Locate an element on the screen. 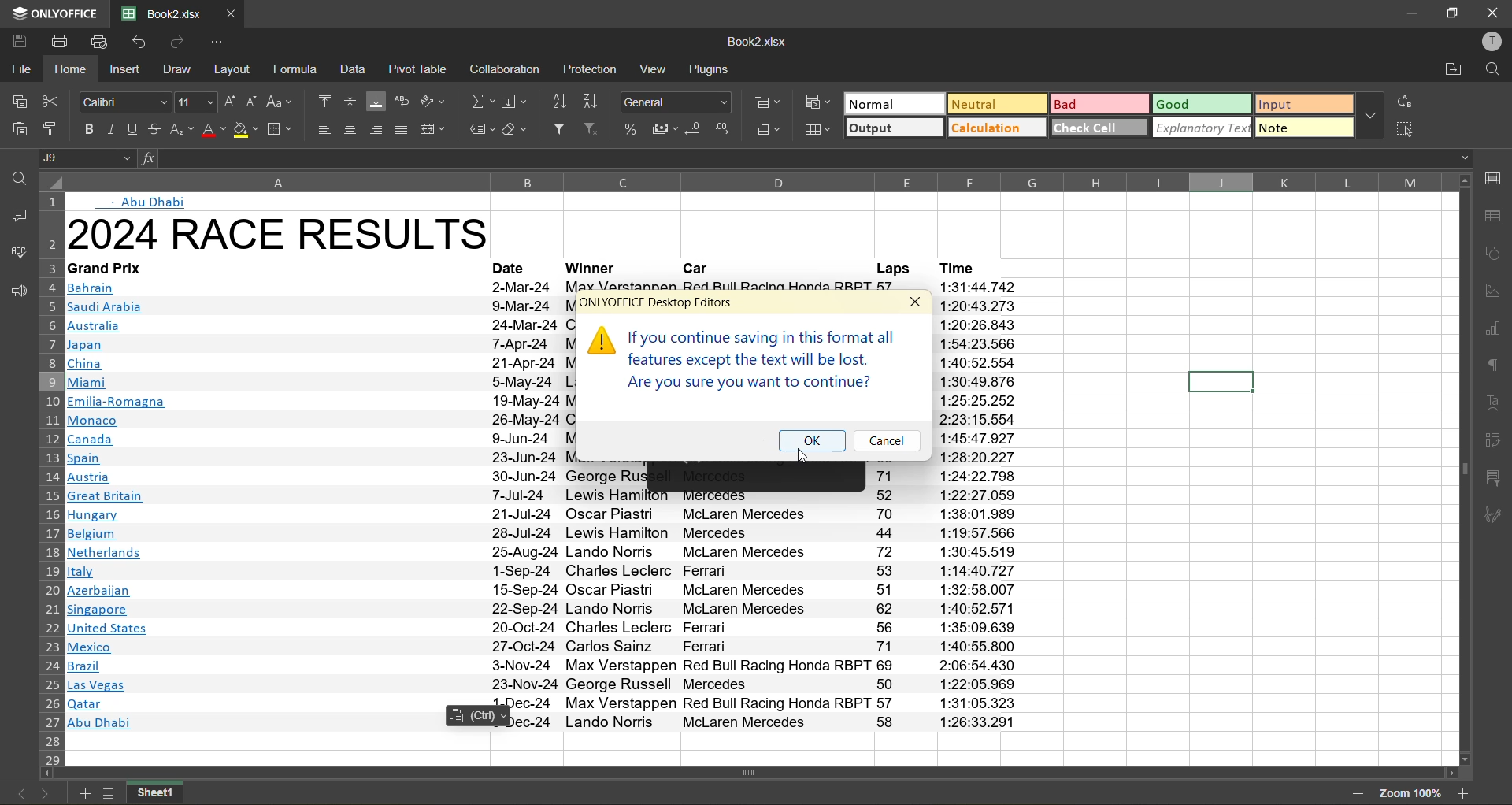  close is located at coordinates (1493, 12).